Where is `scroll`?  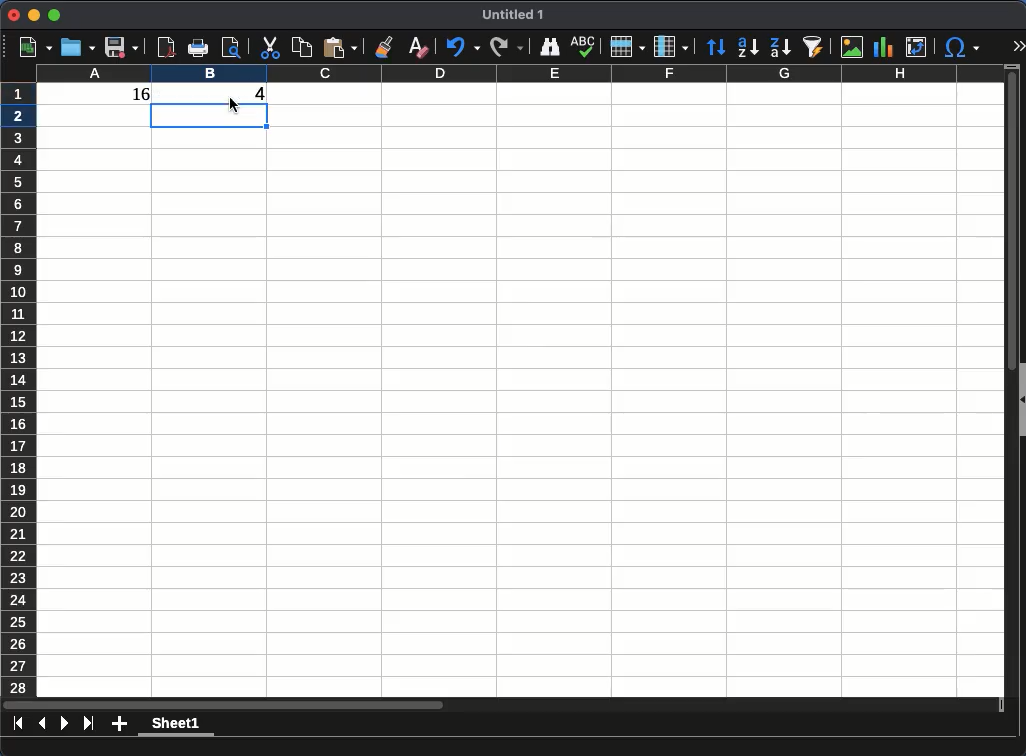 scroll is located at coordinates (506, 706).